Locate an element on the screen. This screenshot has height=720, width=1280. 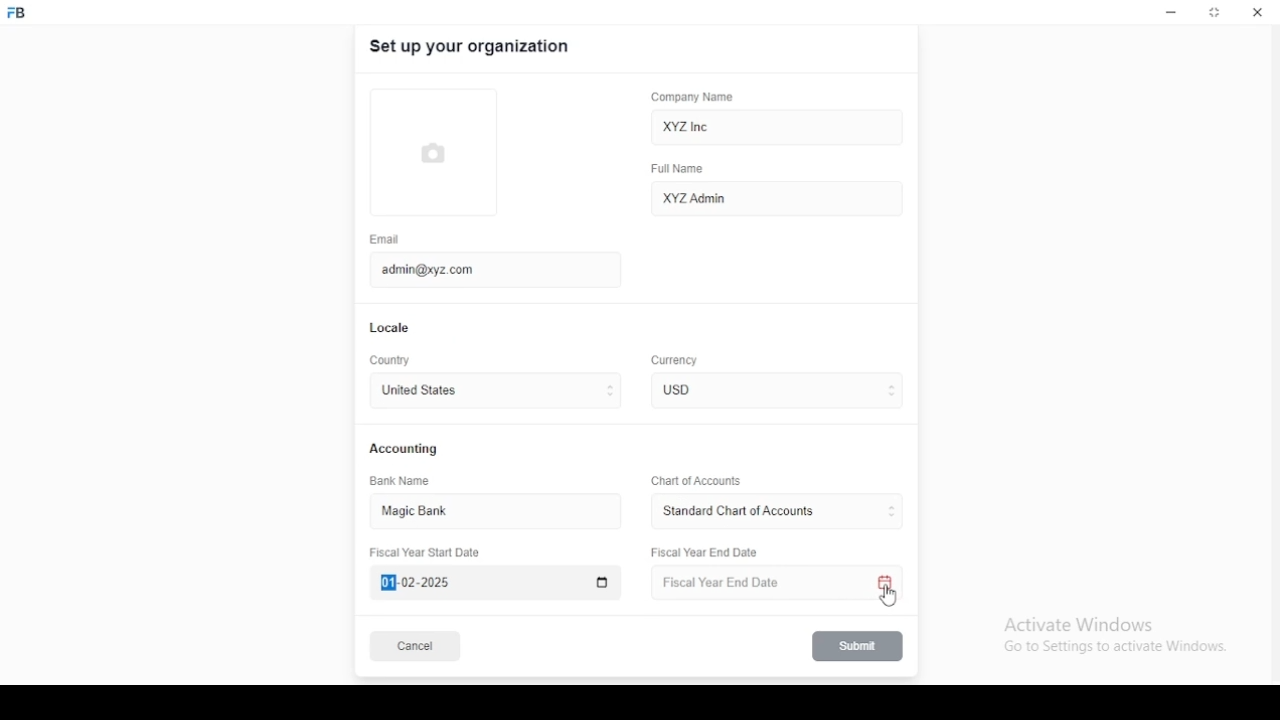
logo tumbnail is located at coordinates (448, 153).